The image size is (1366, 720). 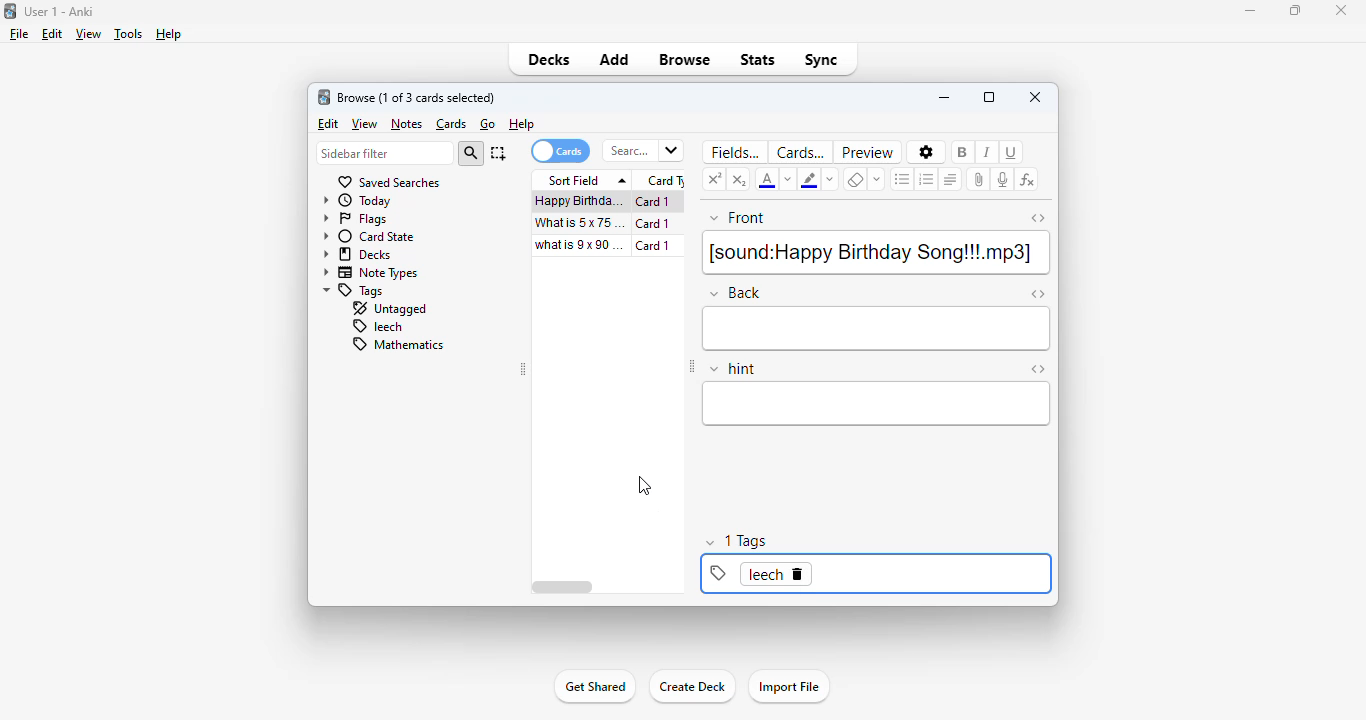 I want to click on maximize, so click(x=1297, y=10).